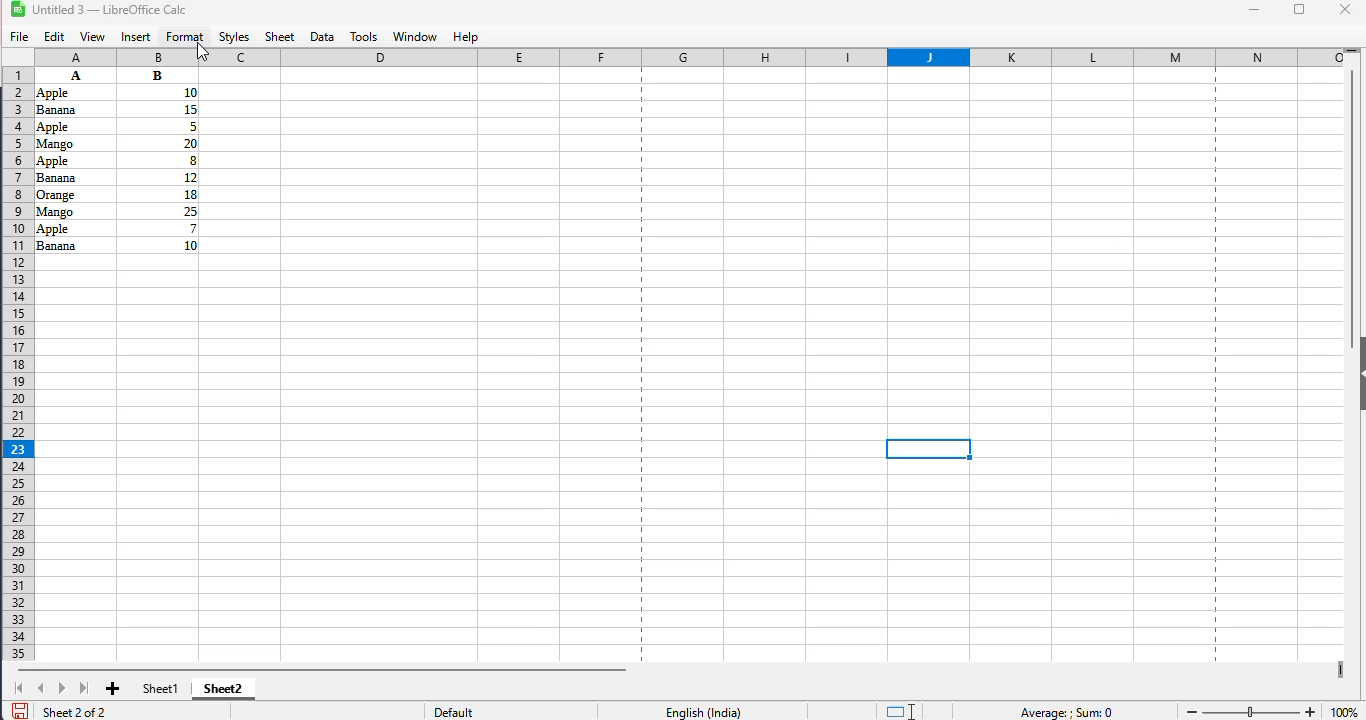  What do you see at coordinates (899, 710) in the screenshot?
I see `standard selection` at bounding box center [899, 710].